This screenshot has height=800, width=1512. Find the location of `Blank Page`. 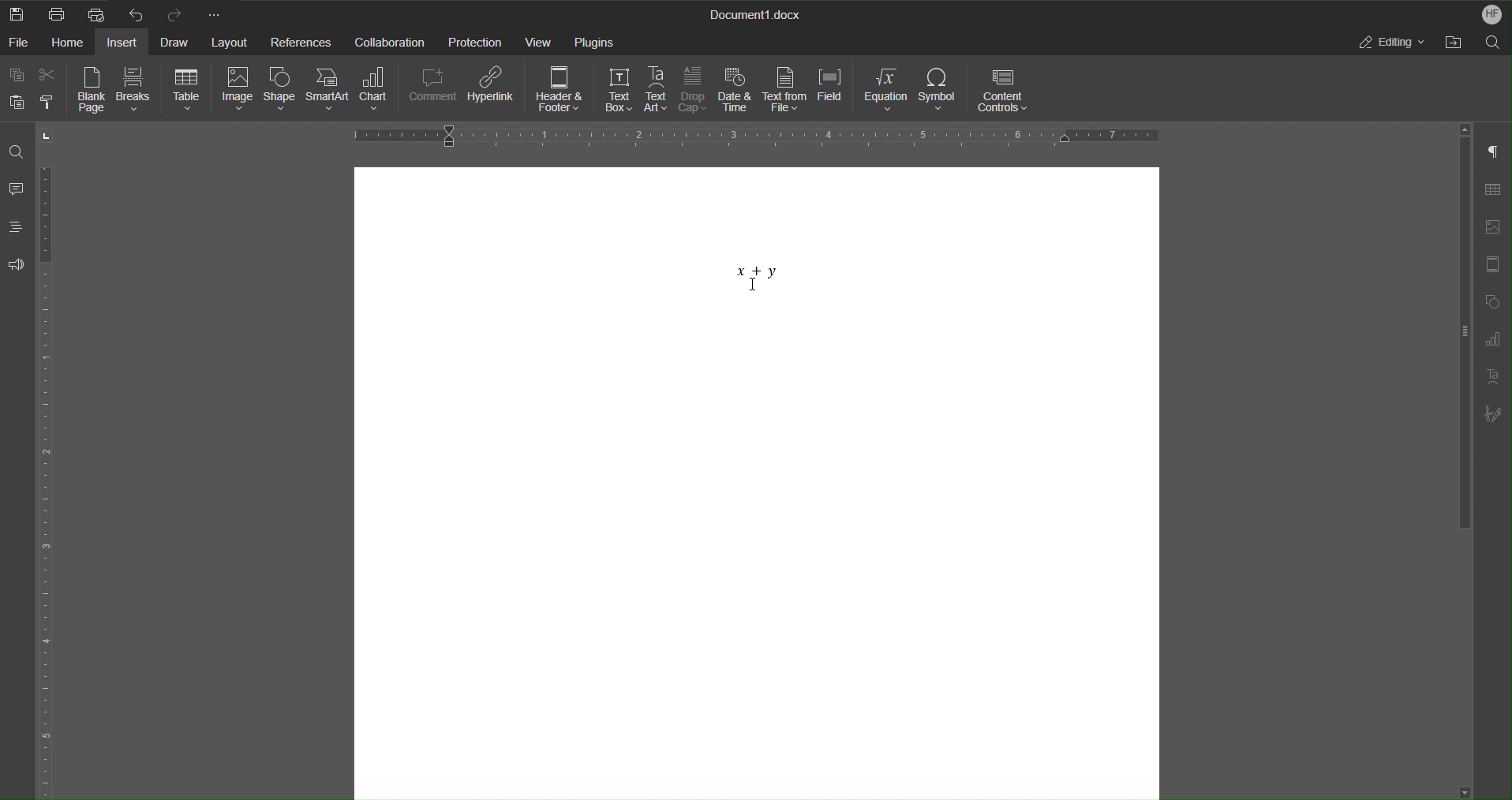

Blank Page is located at coordinates (92, 90).